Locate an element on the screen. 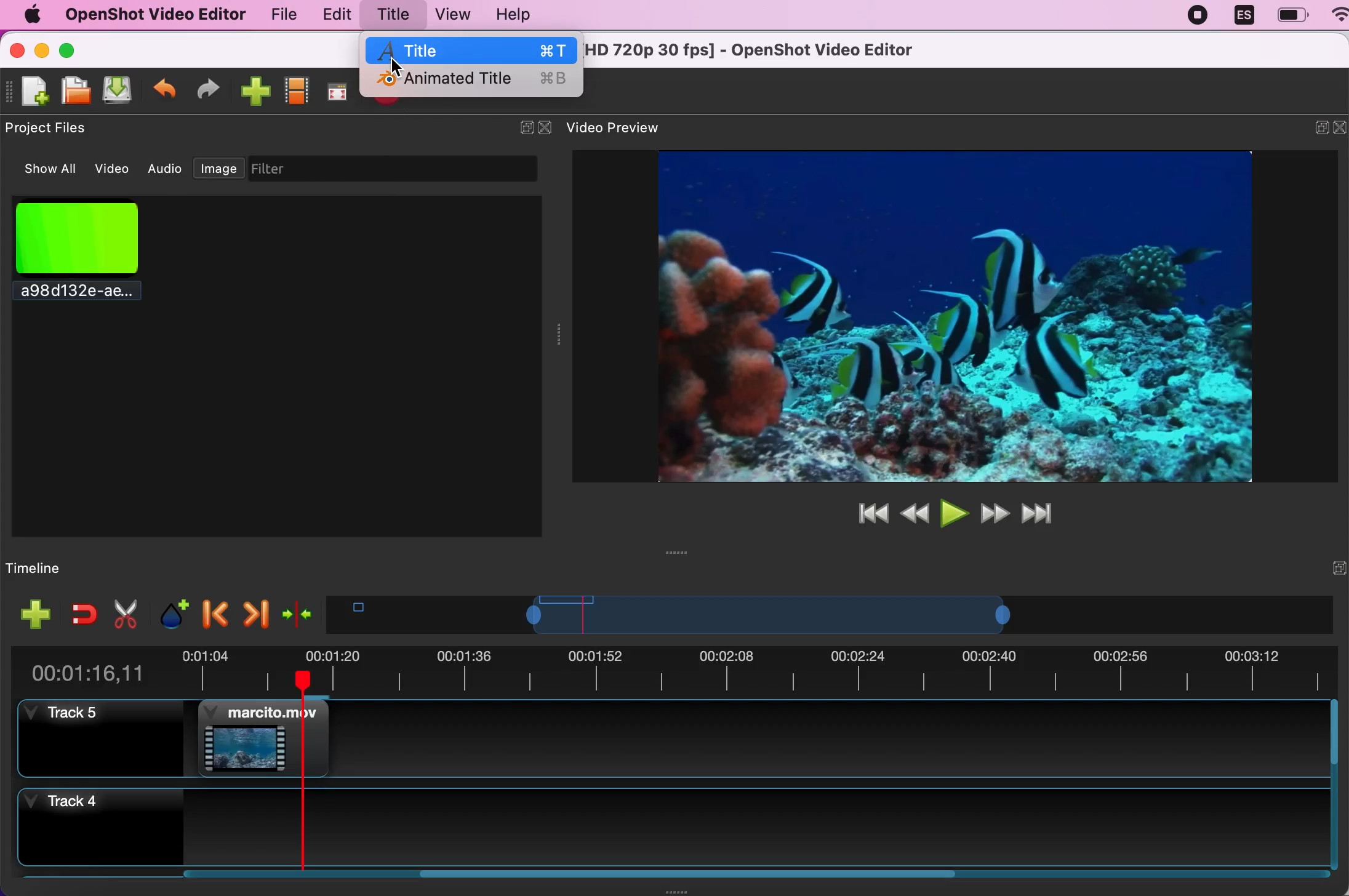  view is located at coordinates (452, 14).